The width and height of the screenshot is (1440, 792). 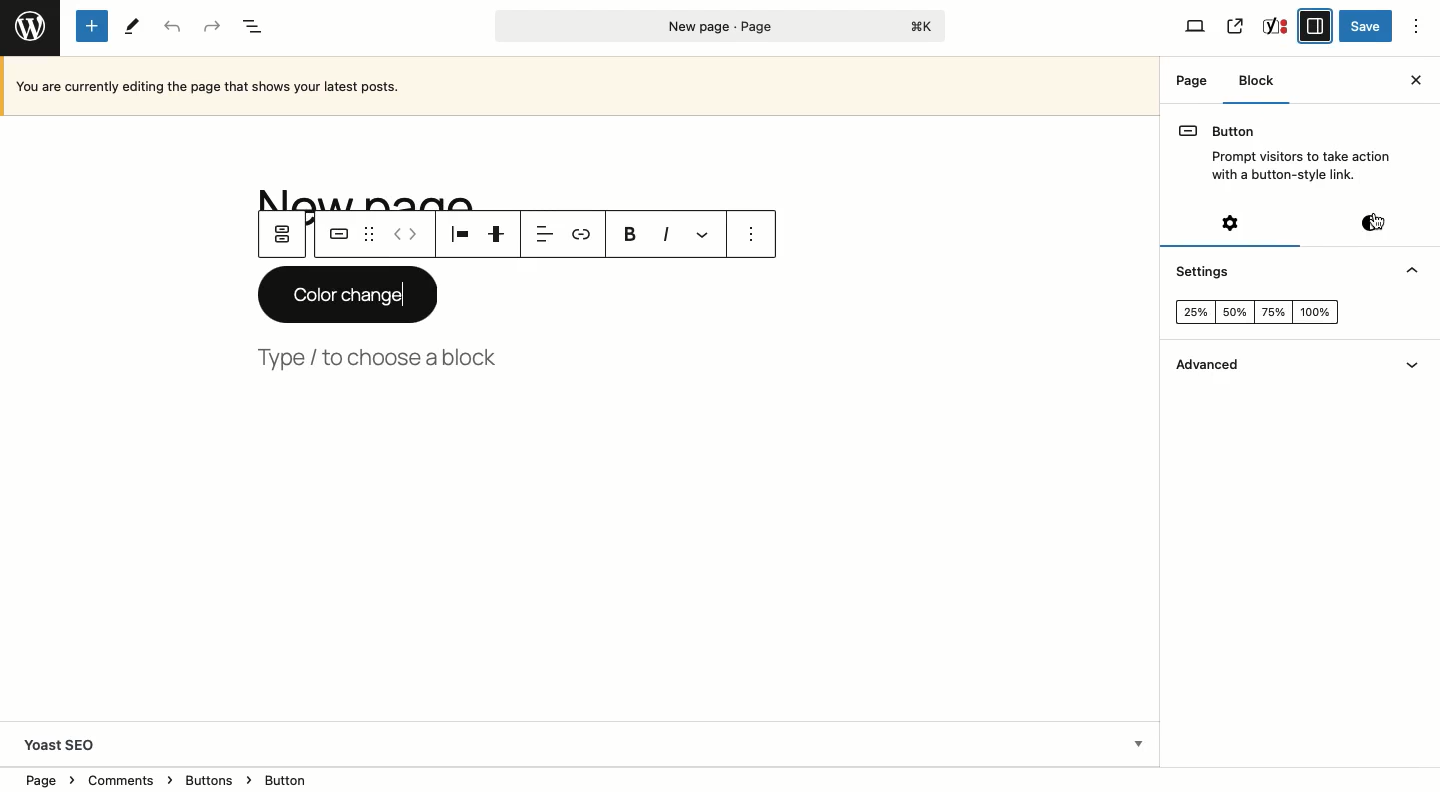 I want to click on Advanced, so click(x=1206, y=367).